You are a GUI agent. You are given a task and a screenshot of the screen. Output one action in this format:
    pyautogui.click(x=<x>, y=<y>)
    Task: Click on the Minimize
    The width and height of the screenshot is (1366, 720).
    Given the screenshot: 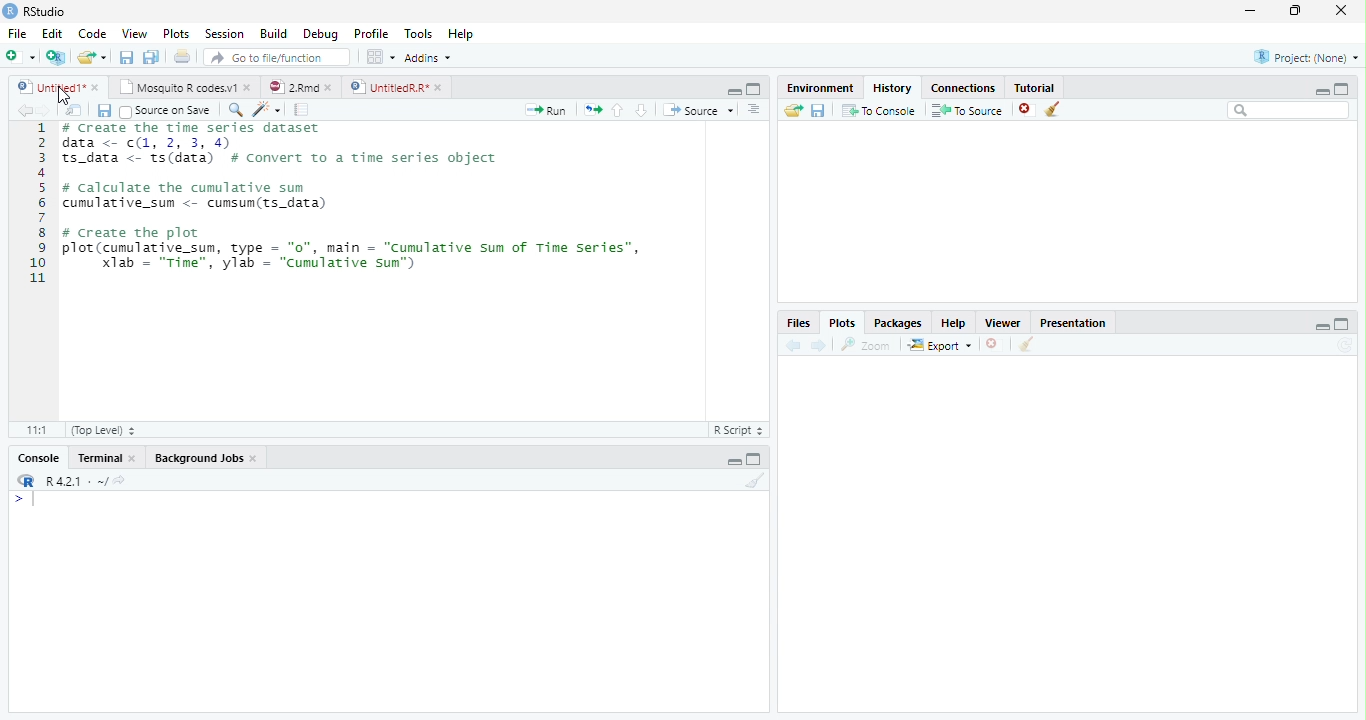 What is the action you would take?
    pyautogui.click(x=1322, y=328)
    